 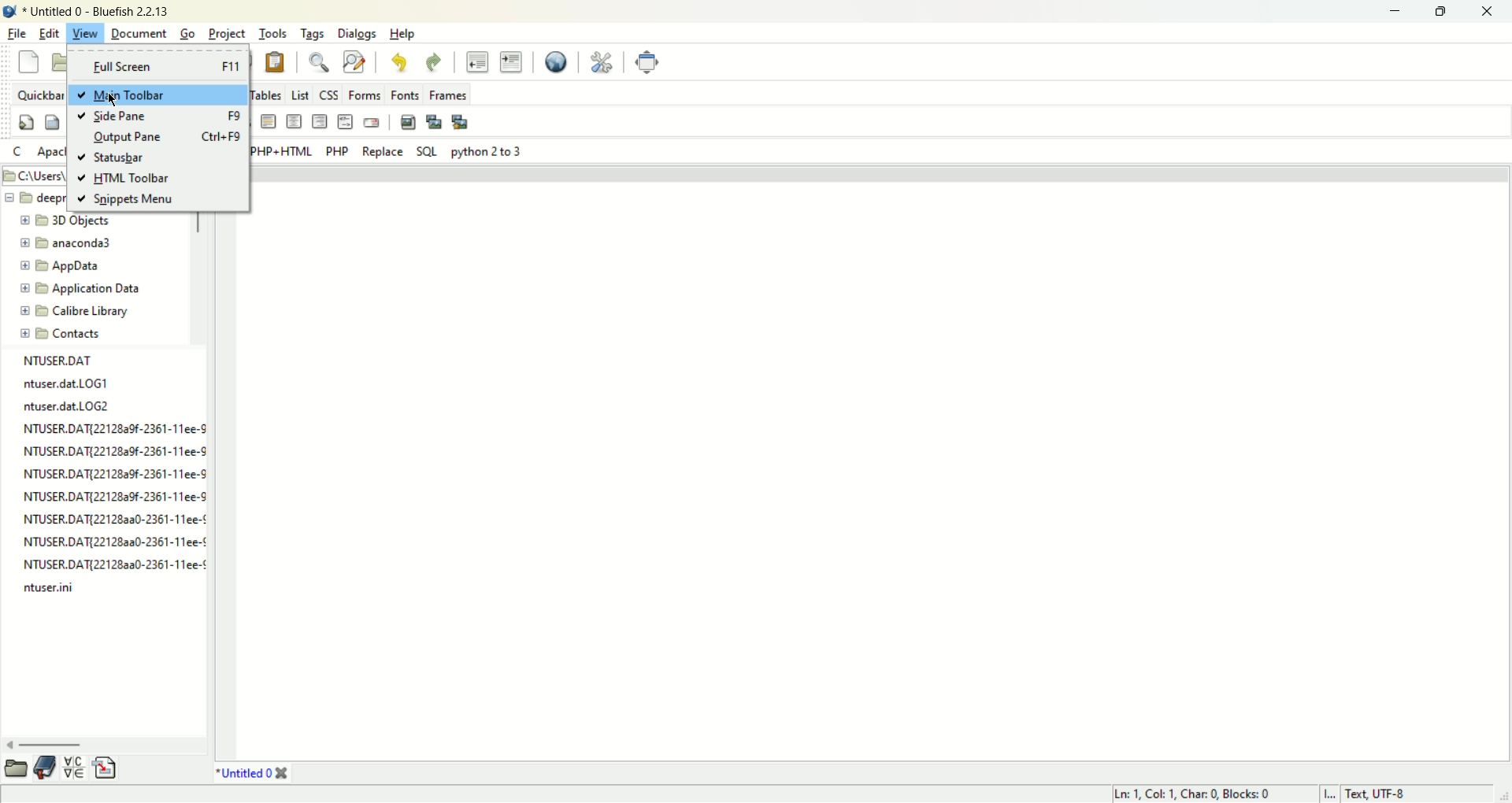 I want to click on edit, so click(x=50, y=32).